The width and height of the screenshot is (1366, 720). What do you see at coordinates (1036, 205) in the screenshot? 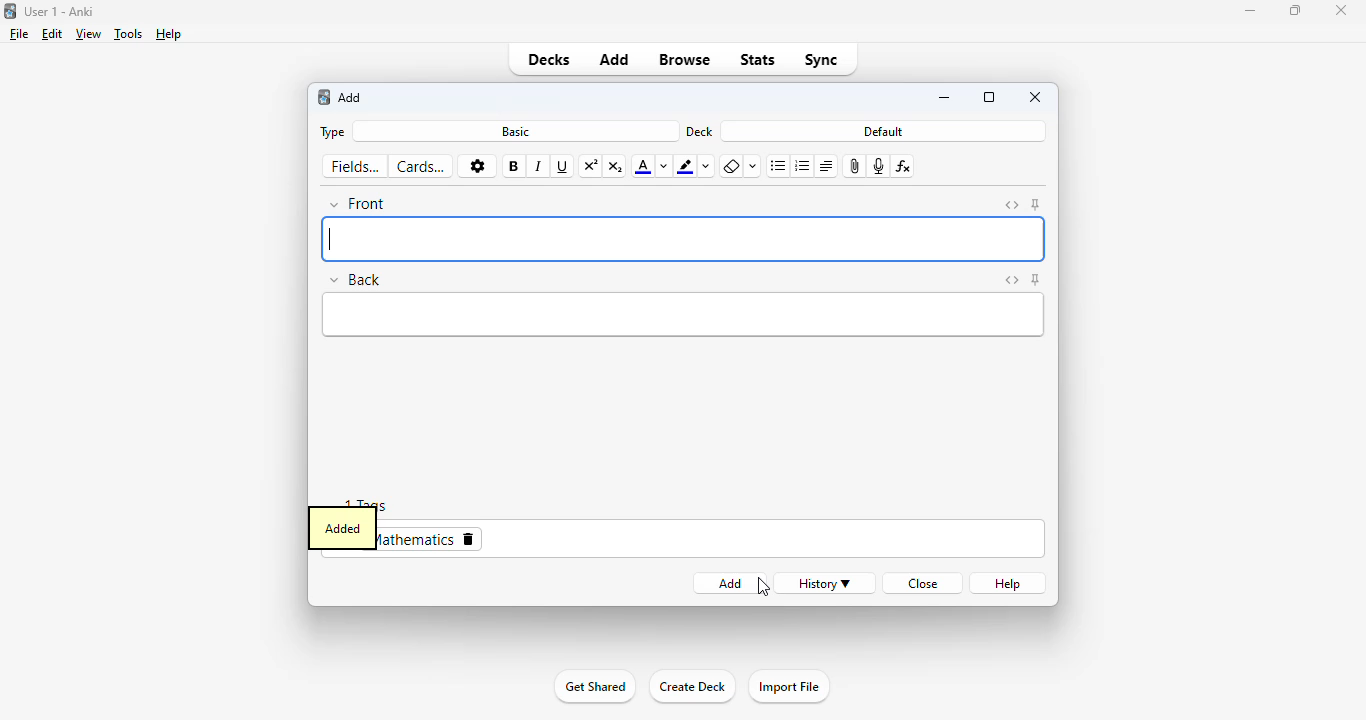
I see `toggle sticky` at bounding box center [1036, 205].